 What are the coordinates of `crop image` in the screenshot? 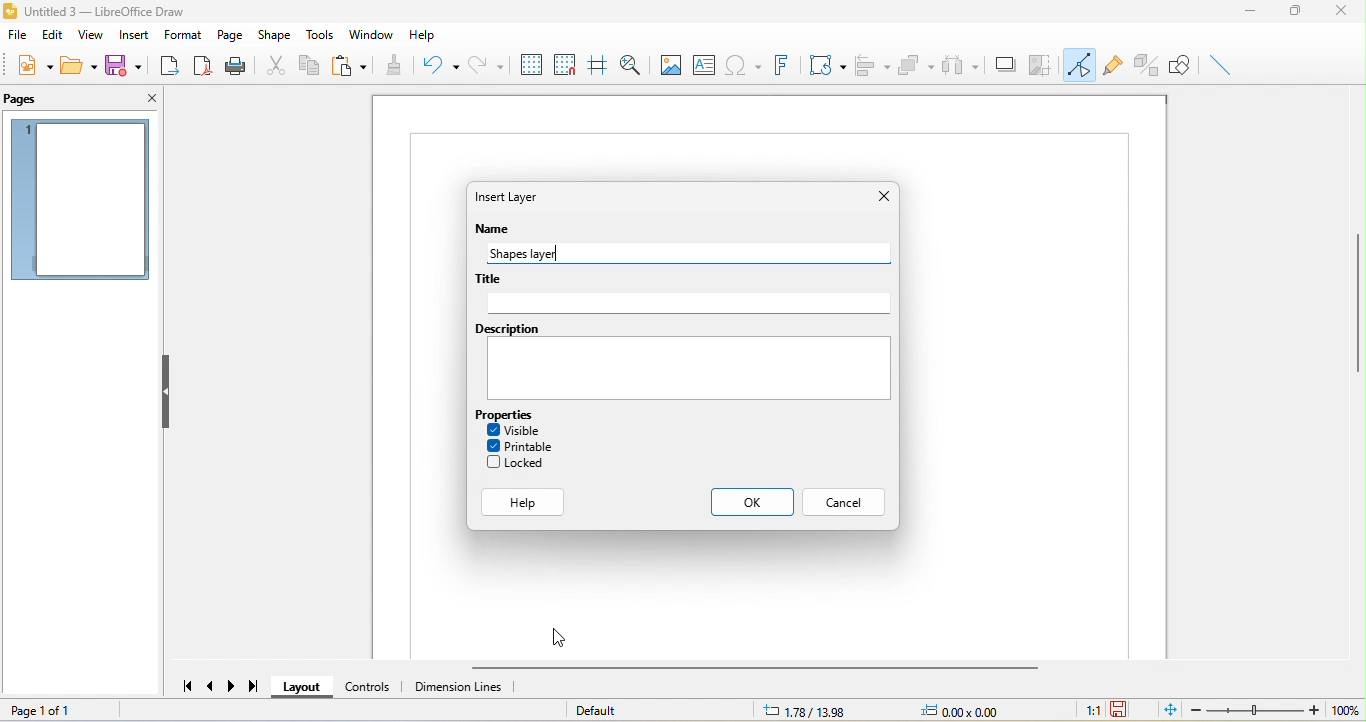 It's located at (1042, 64).